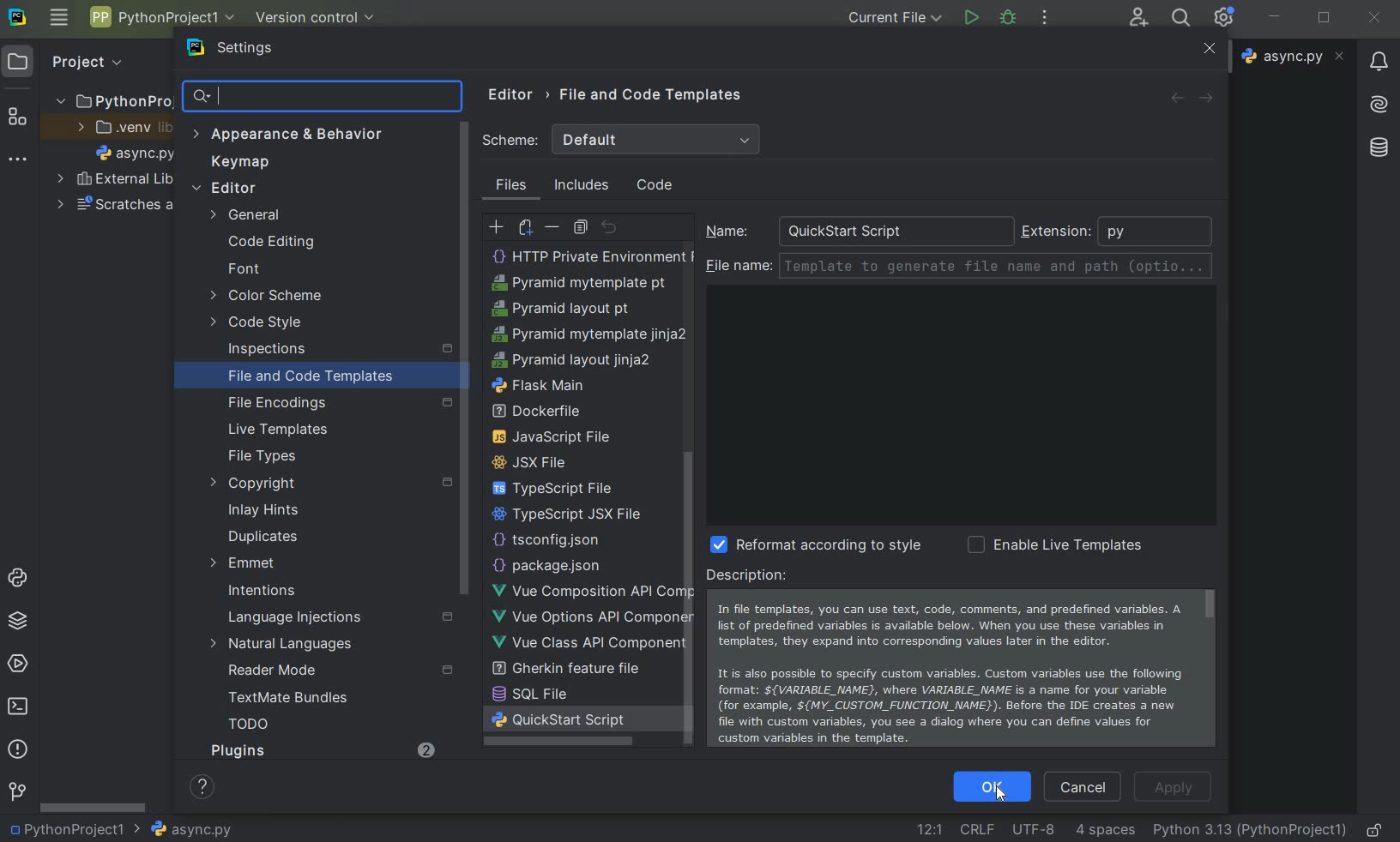 Image resolution: width=1400 pixels, height=842 pixels. I want to click on language injections, so click(334, 617).